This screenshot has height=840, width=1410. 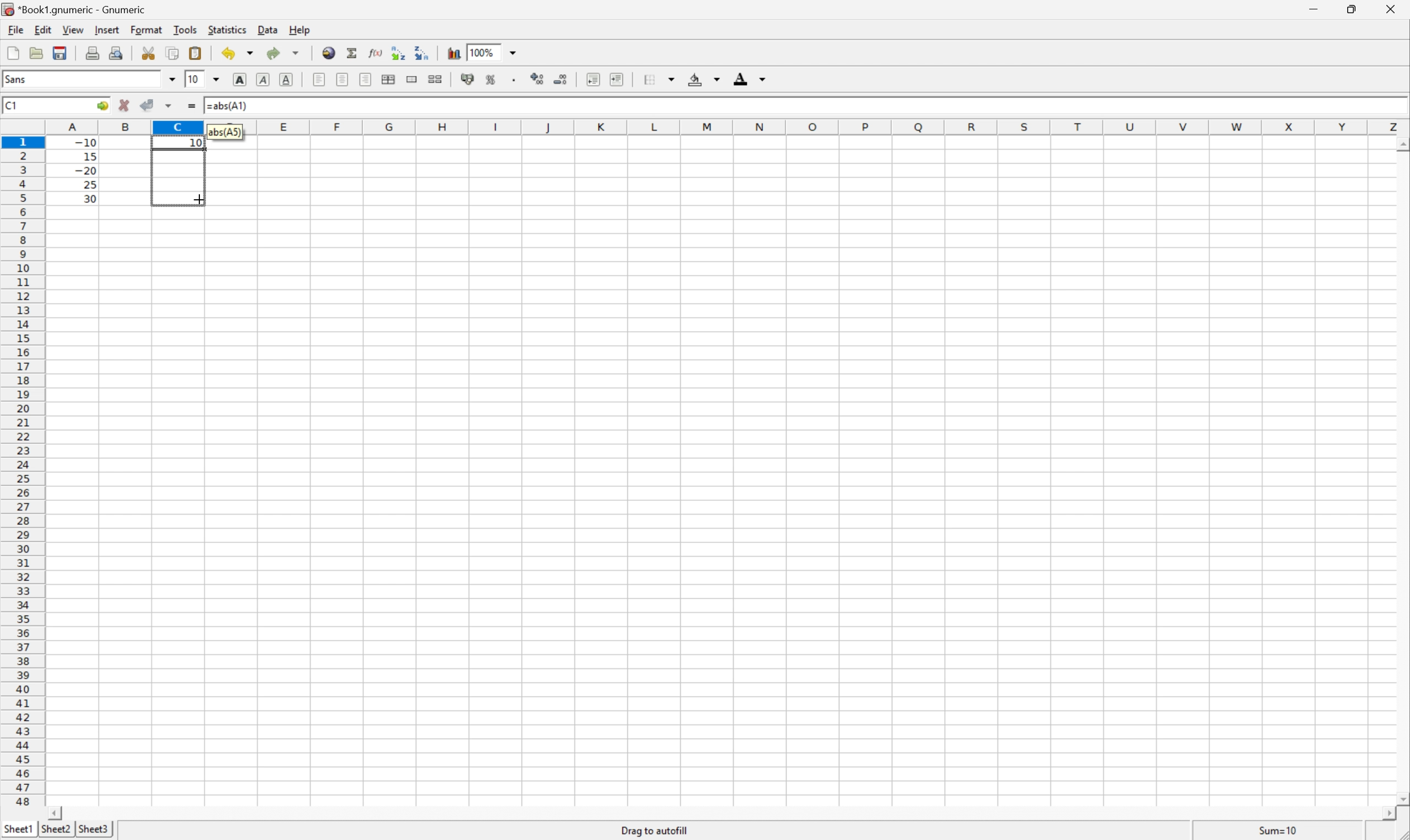 What do you see at coordinates (73, 30) in the screenshot?
I see `View` at bounding box center [73, 30].